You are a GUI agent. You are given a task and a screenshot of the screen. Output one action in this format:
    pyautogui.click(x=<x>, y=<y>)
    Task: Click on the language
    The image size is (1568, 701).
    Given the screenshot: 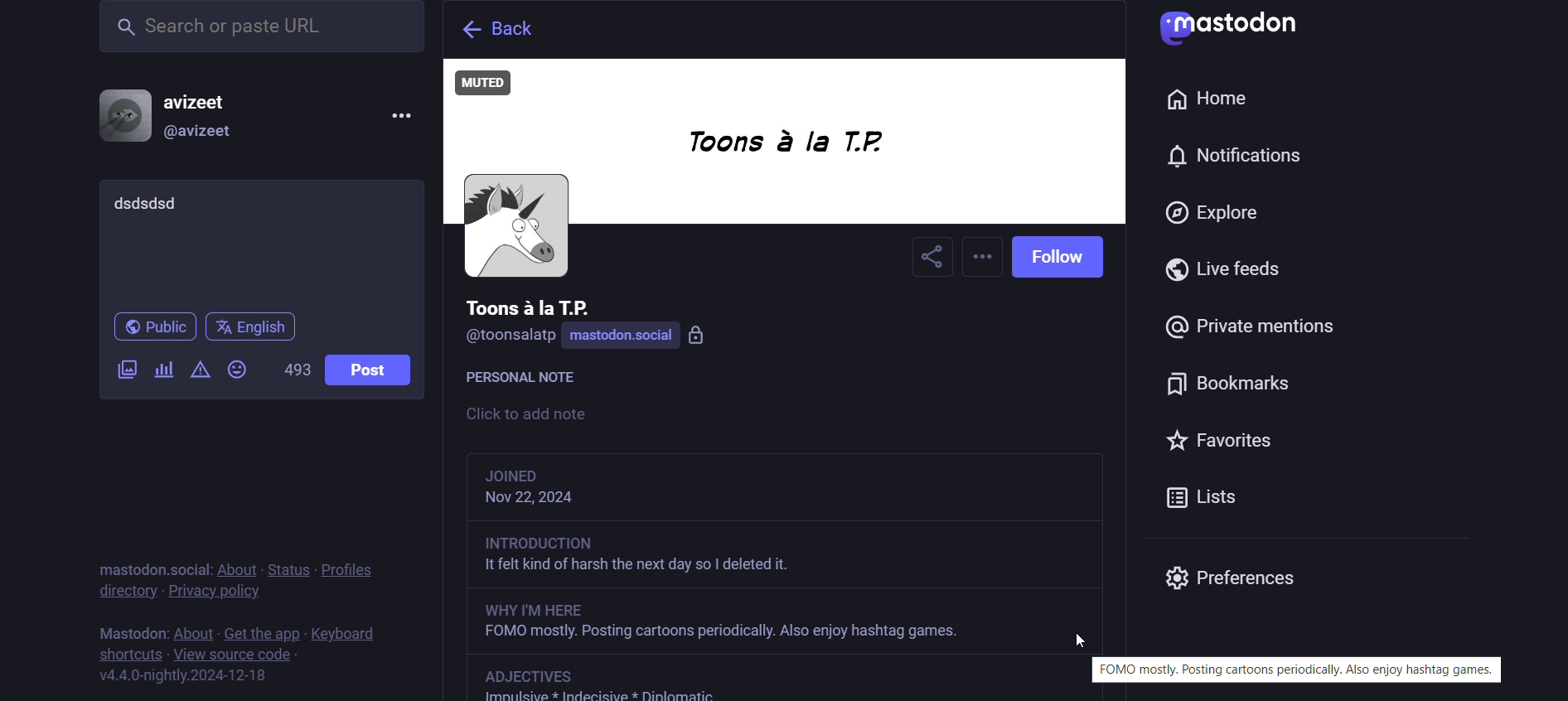 What is the action you would take?
    pyautogui.click(x=252, y=328)
    